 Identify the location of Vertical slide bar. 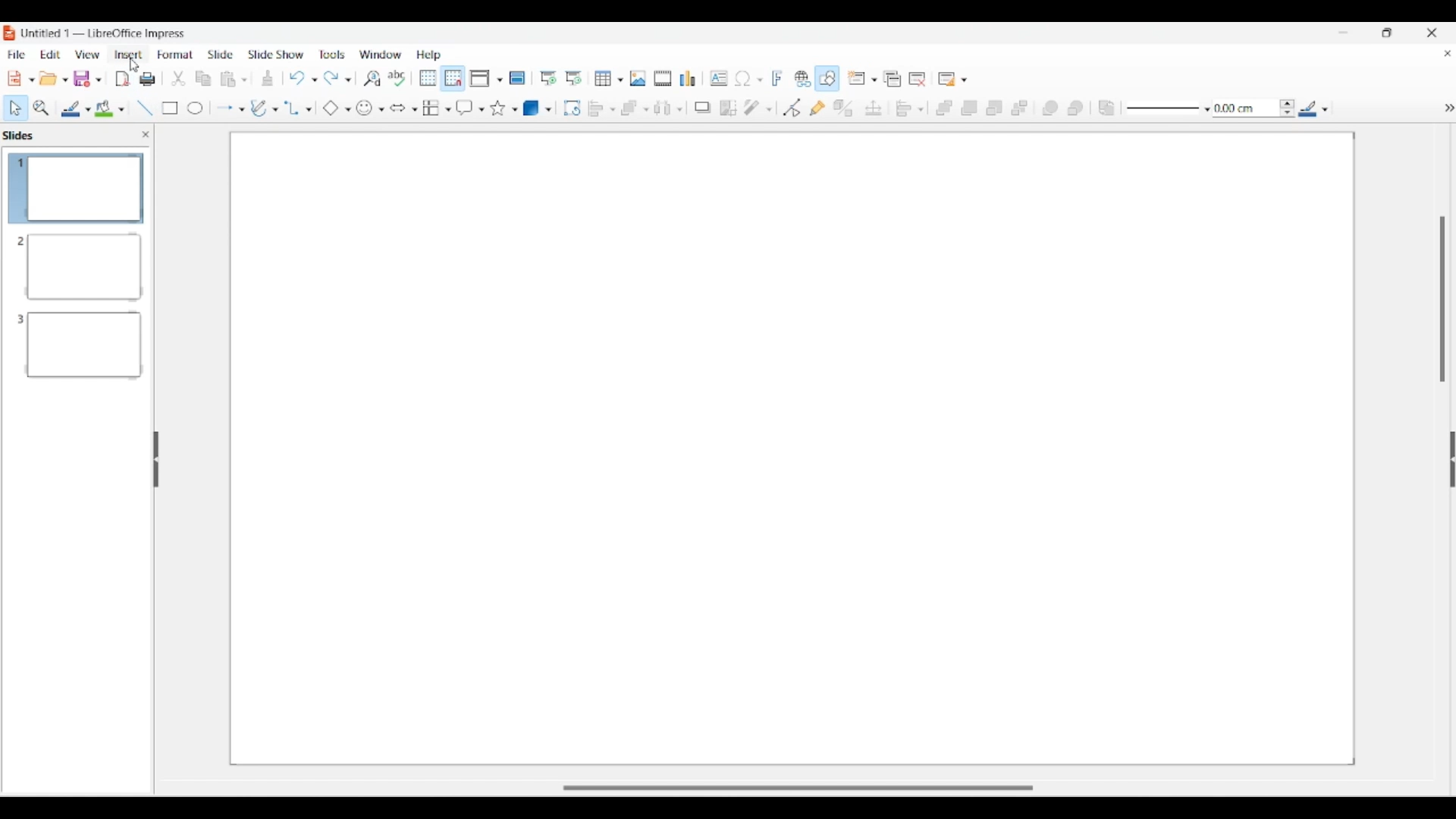
(1442, 300).